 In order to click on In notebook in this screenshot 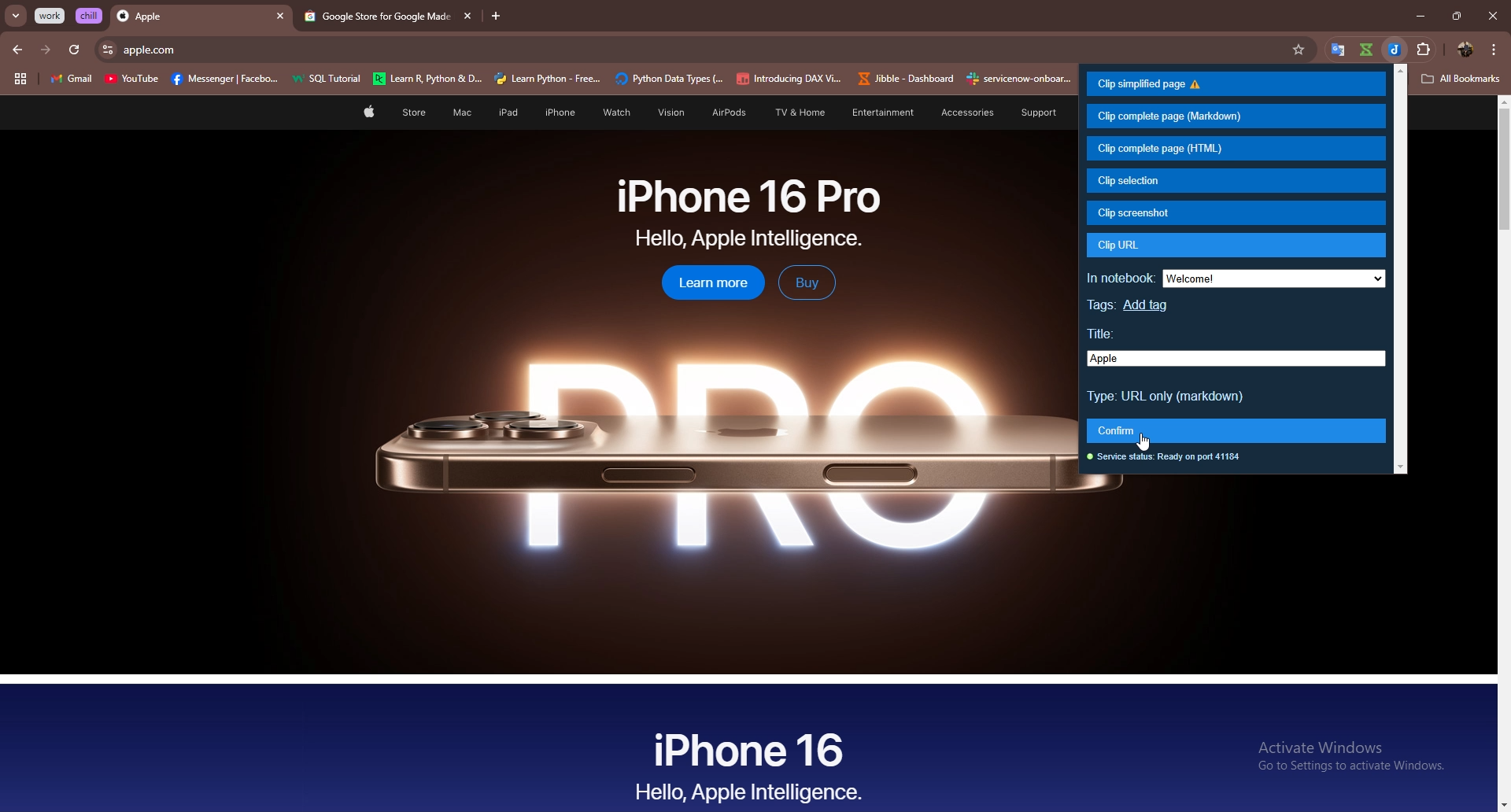, I will do `click(1121, 275)`.